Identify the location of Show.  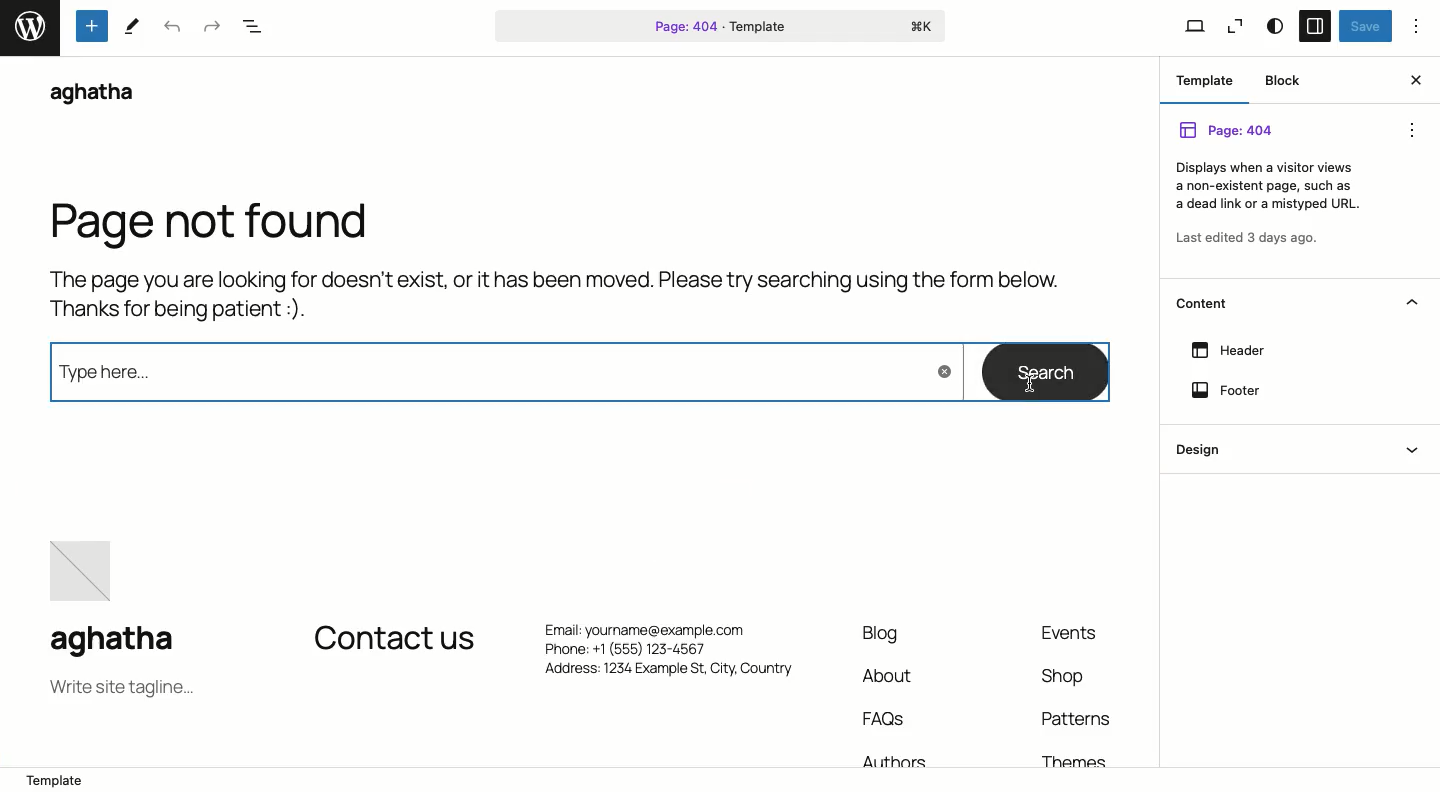
(1407, 451).